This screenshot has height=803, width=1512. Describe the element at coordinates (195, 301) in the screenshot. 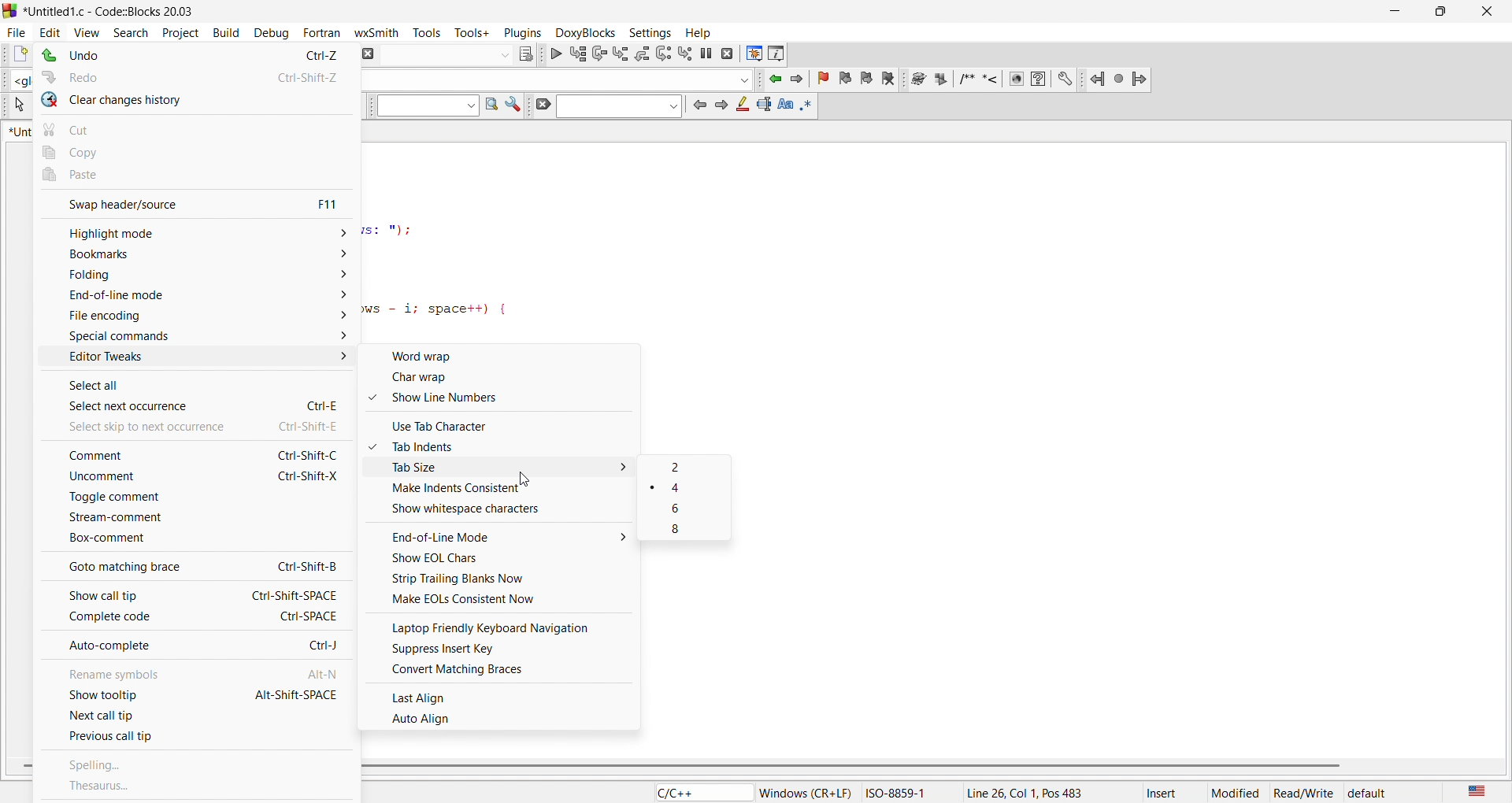

I see `end of line mode` at that location.